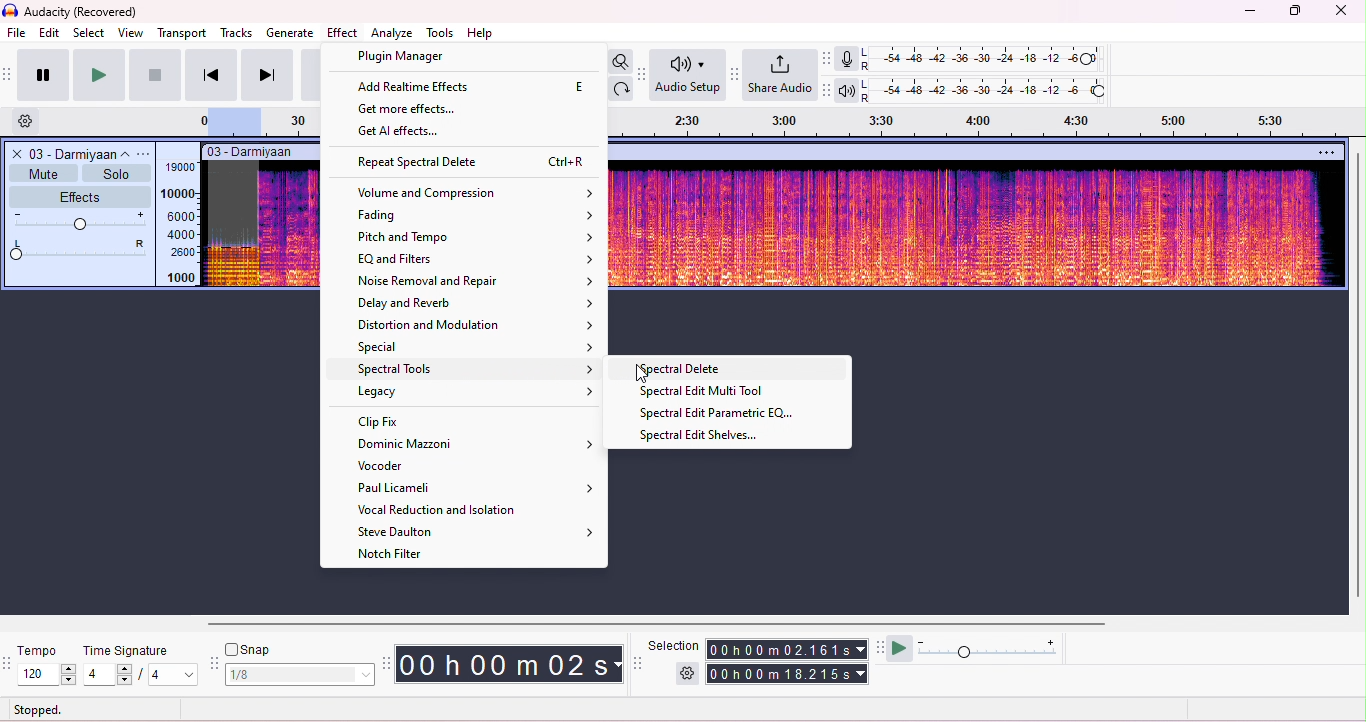 This screenshot has width=1366, height=722. What do you see at coordinates (477, 236) in the screenshot?
I see `pitch and tempo` at bounding box center [477, 236].